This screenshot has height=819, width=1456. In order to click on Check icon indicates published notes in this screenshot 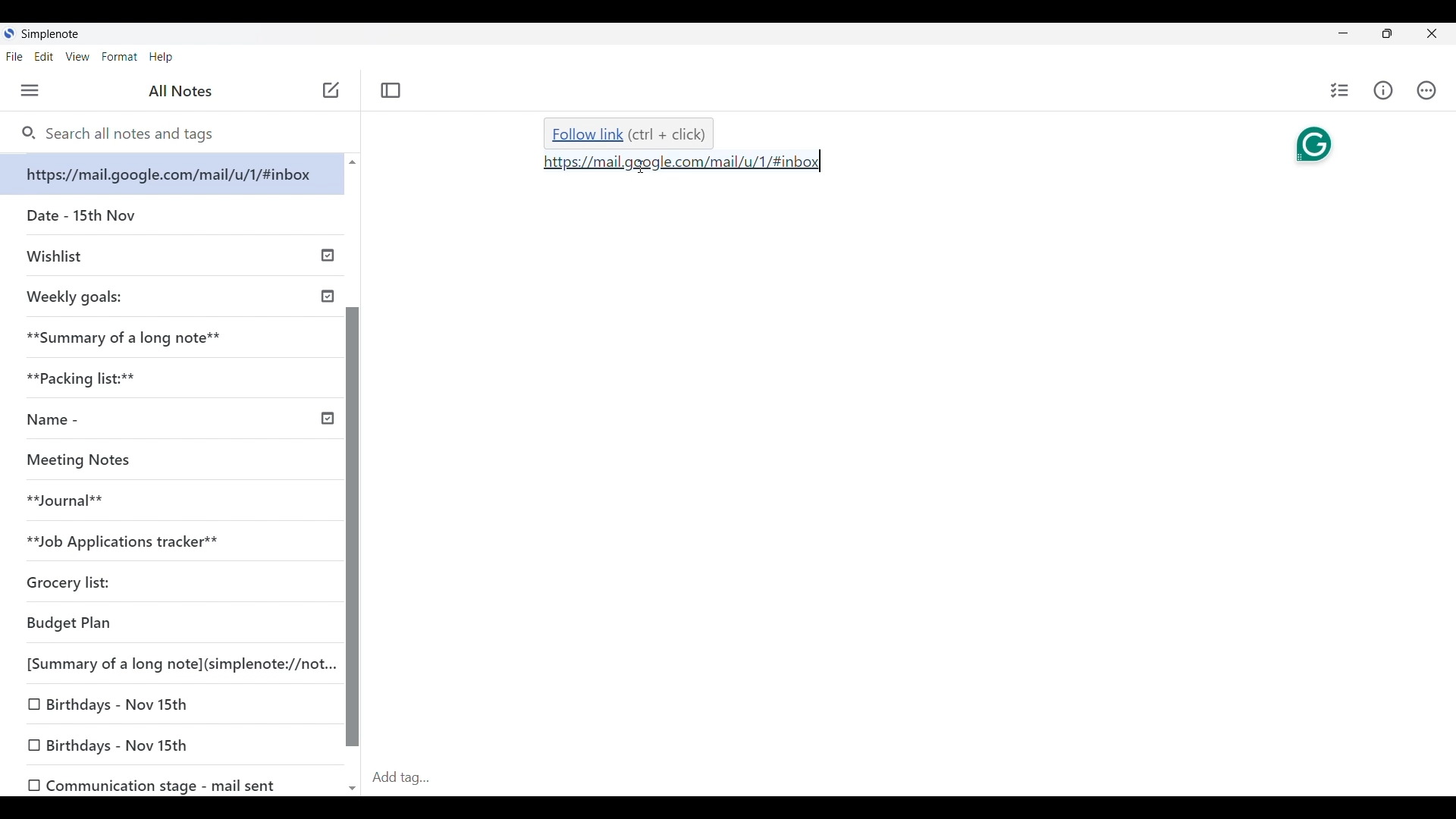, I will do `click(328, 331)`.